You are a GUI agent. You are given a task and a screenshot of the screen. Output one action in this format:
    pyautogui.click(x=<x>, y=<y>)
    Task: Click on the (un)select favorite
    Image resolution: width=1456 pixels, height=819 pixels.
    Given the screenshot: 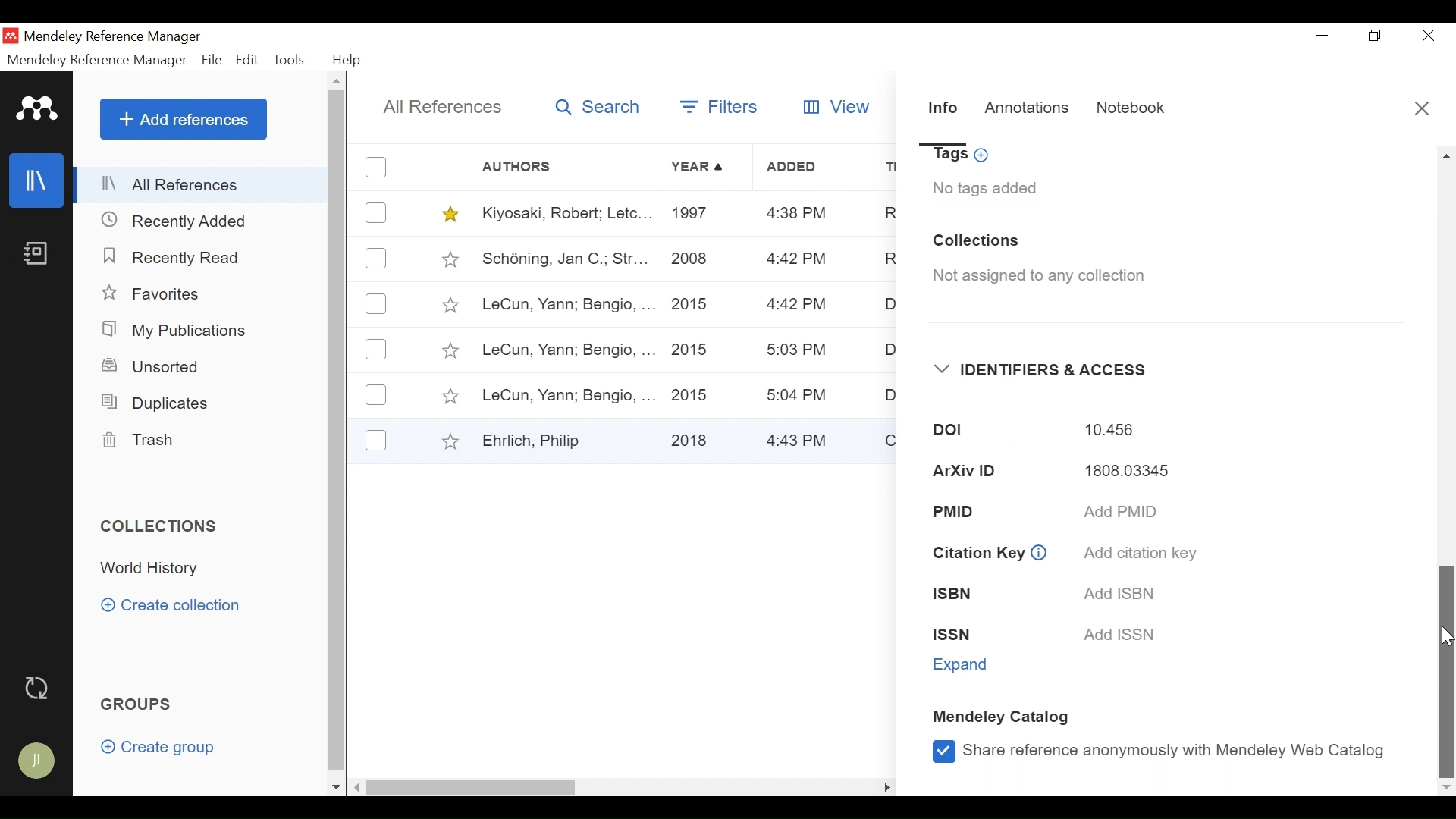 What is the action you would take?
    pyautogui.click(x=449, y=305)
    